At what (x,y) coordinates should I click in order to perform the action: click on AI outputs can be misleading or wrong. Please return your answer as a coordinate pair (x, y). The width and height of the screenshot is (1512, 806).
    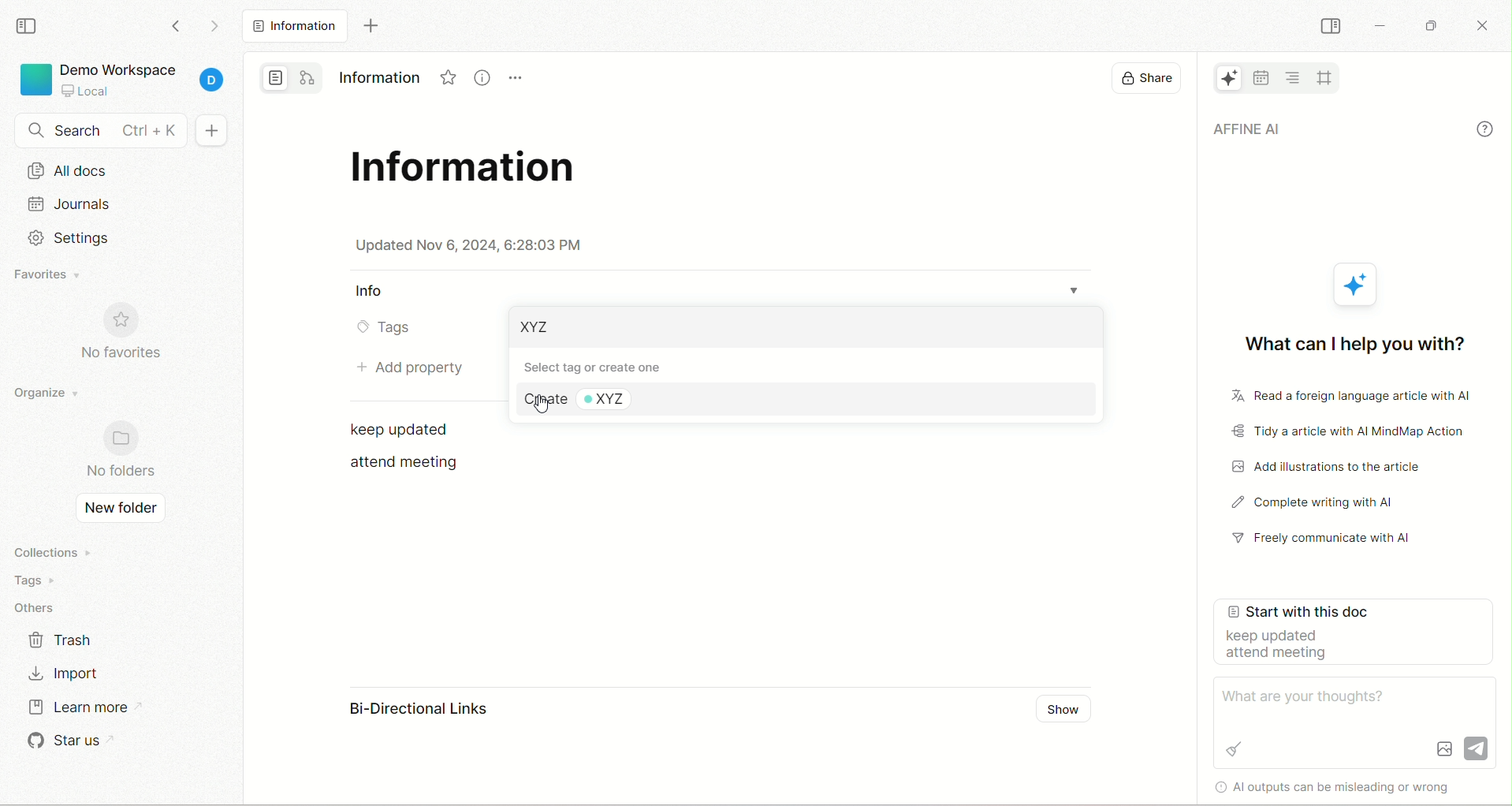
    Looking at the image, I should click on (1346, 786).